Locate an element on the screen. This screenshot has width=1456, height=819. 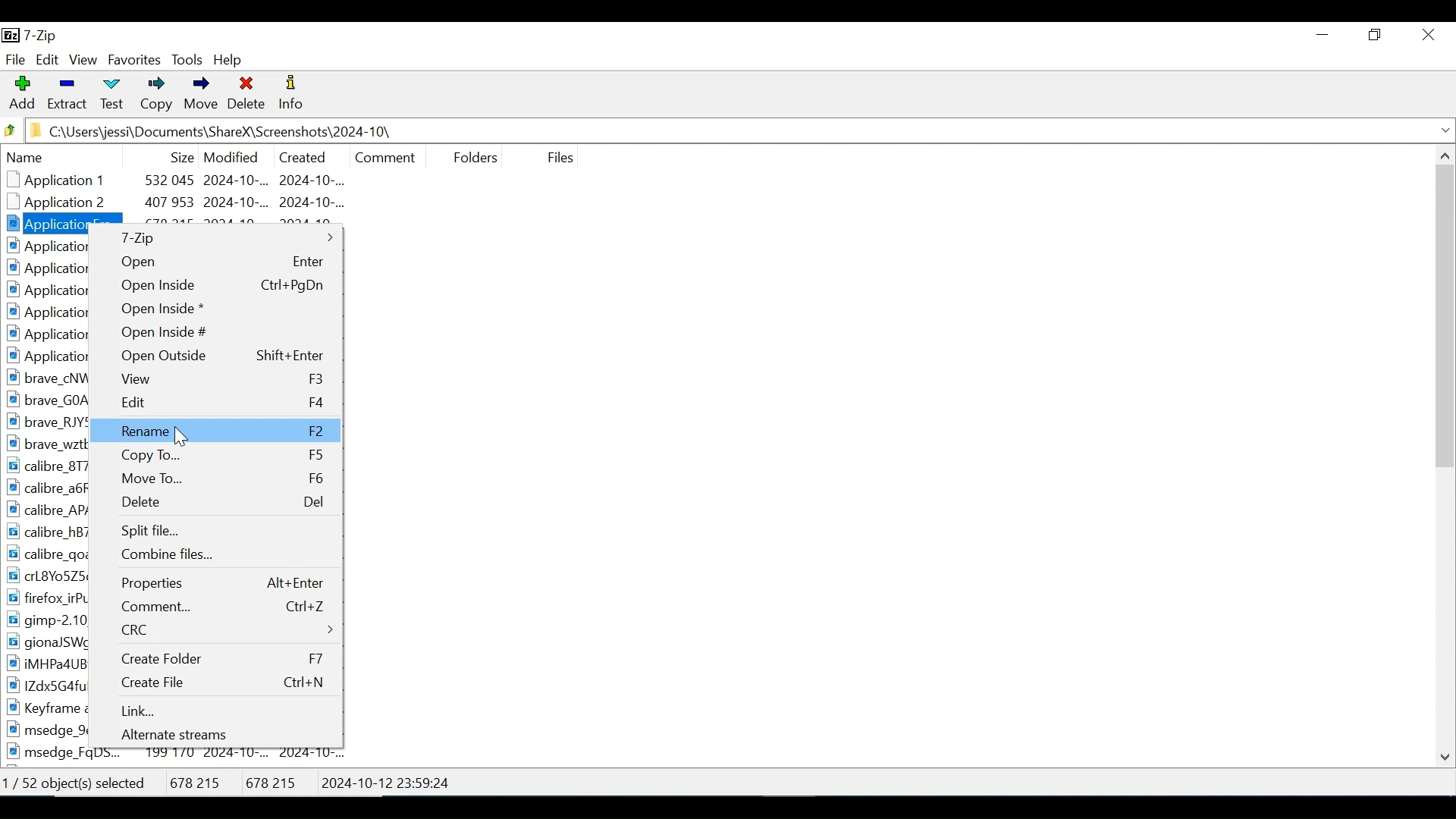
Scroll up is located at coordinates (1443, 154).